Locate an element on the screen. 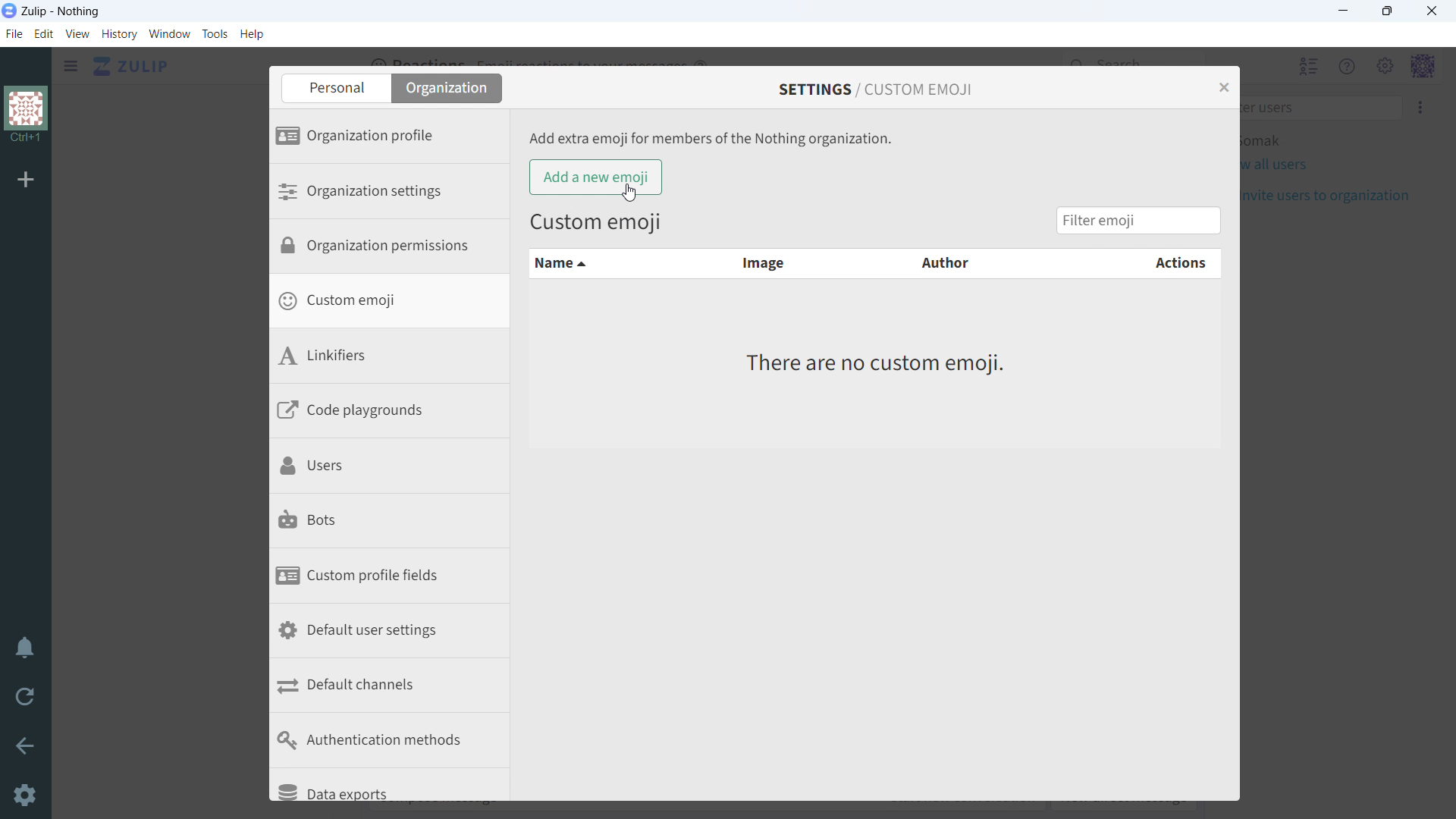 The width and height of the screenshot is (1456, 819). scroll down is located at coordinates (1447, 811).